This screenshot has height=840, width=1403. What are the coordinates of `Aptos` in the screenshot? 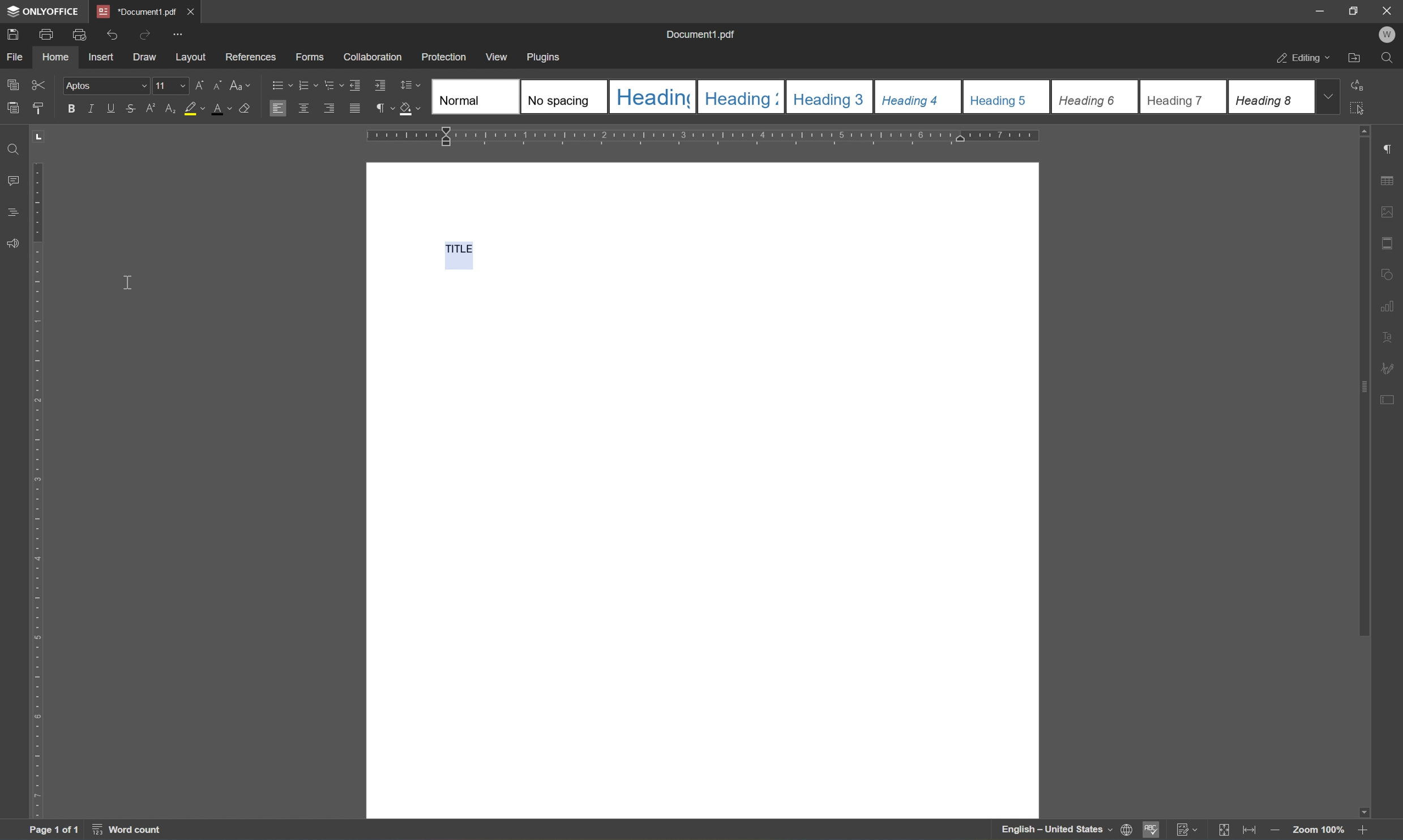 It's located at (106, 86).